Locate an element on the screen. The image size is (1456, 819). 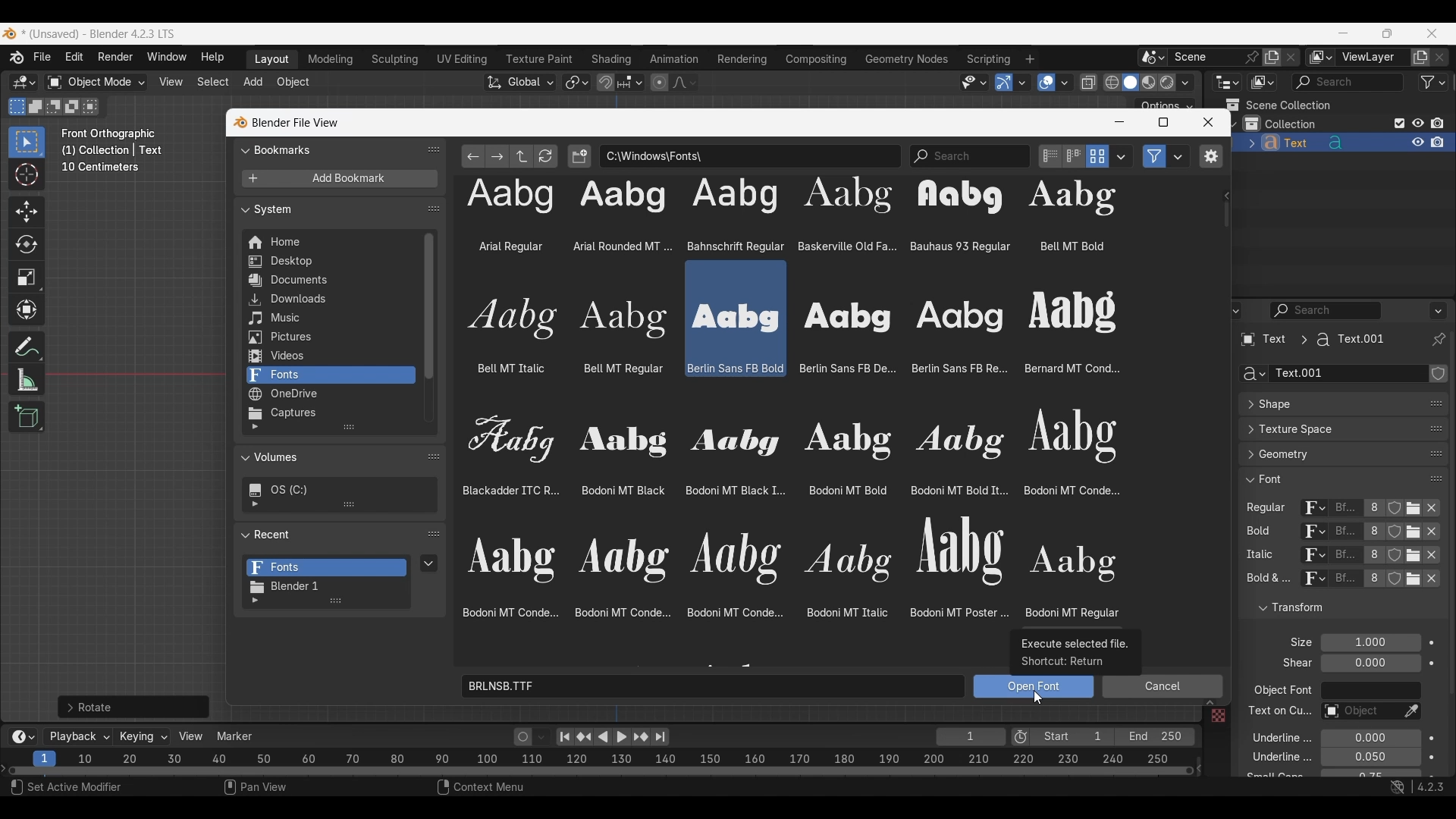
Playback is located at coordinates (79, 737).